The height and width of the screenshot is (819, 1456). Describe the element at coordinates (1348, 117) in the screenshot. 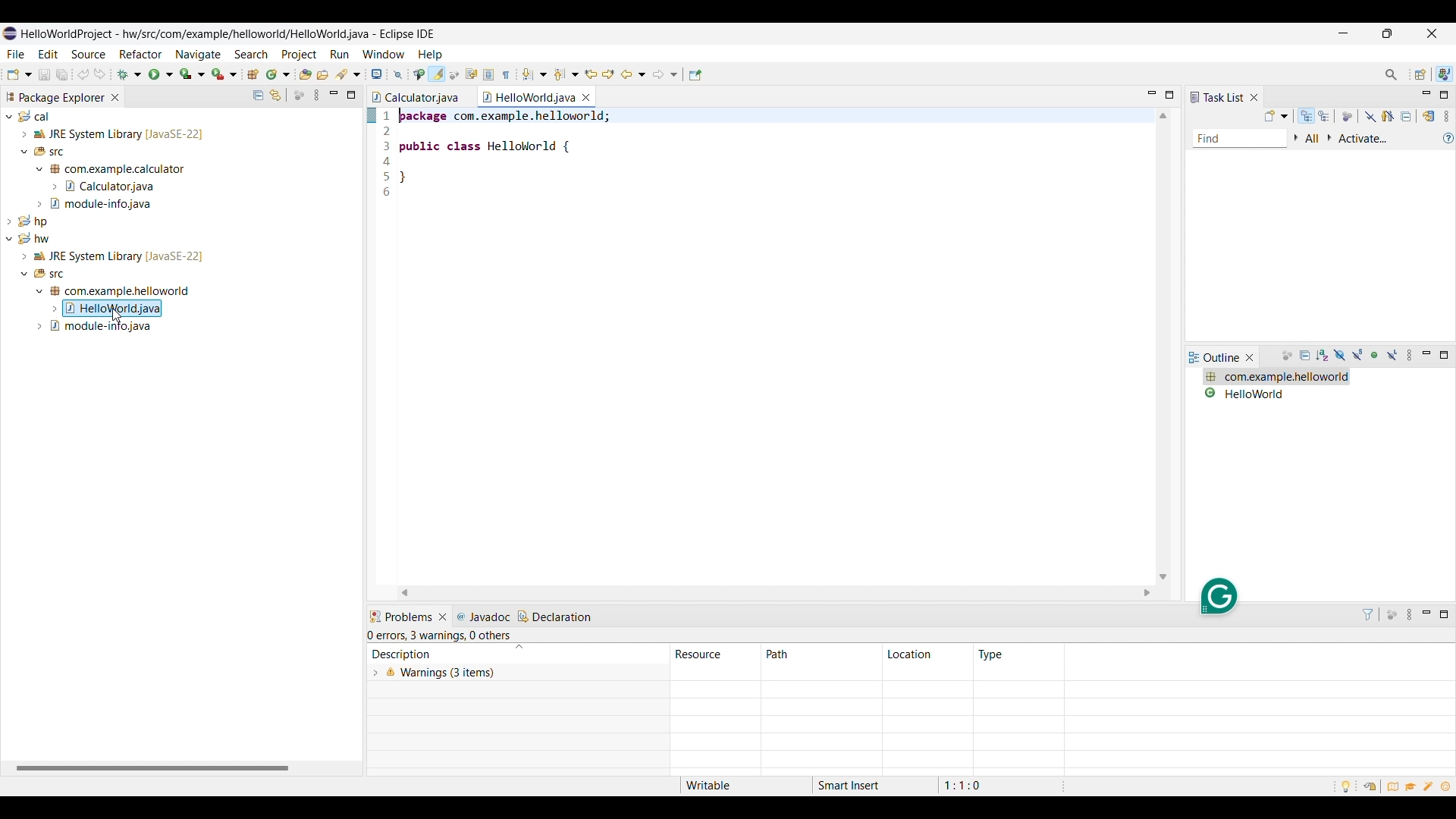

I see `Focus on workweek` at that location.